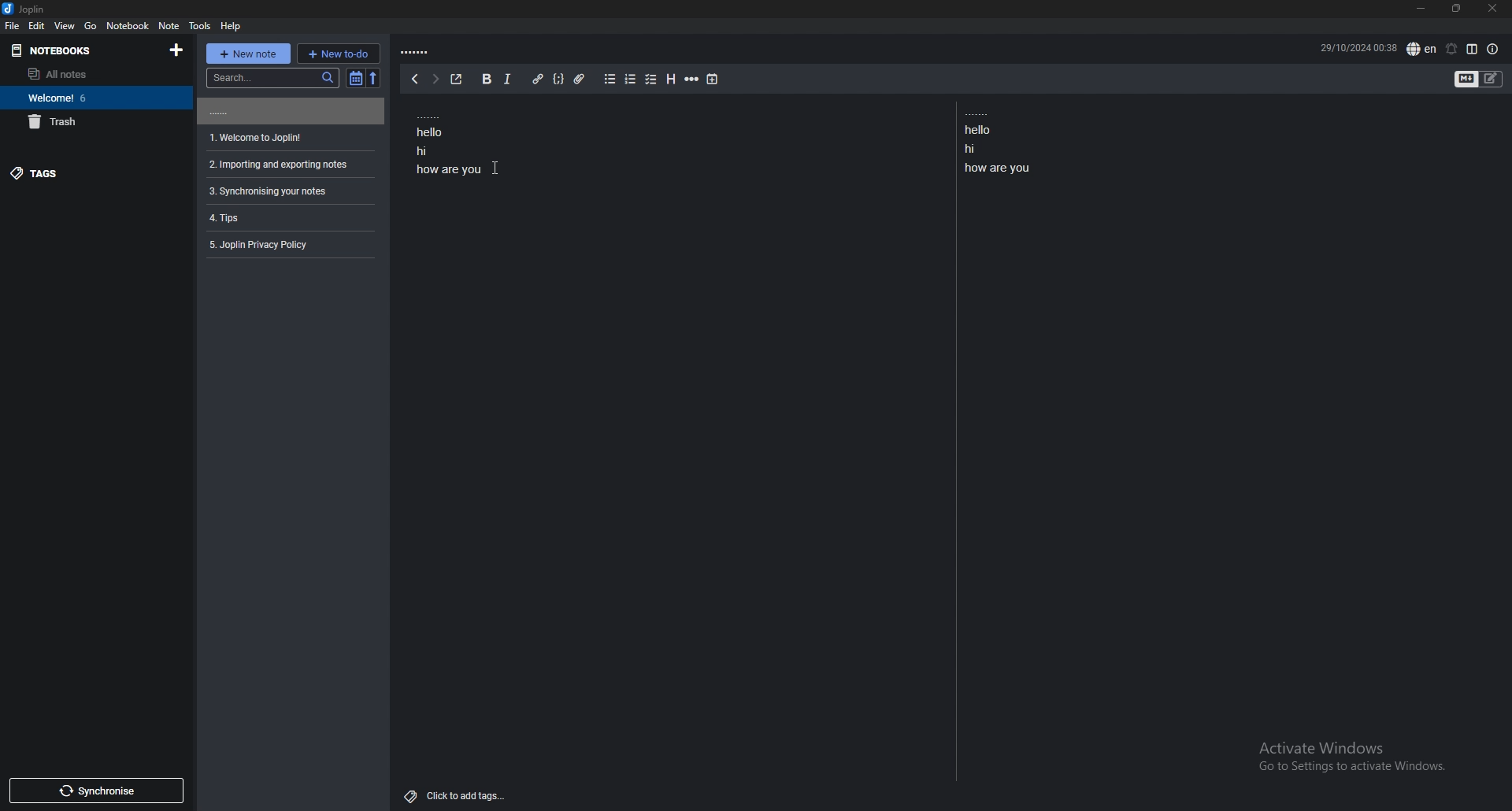 This screenshot has height=811, width=1512. What do you see at coordinates (129, 25) in the screenshot?
I see `notebook` at bounding box center [129, 25].